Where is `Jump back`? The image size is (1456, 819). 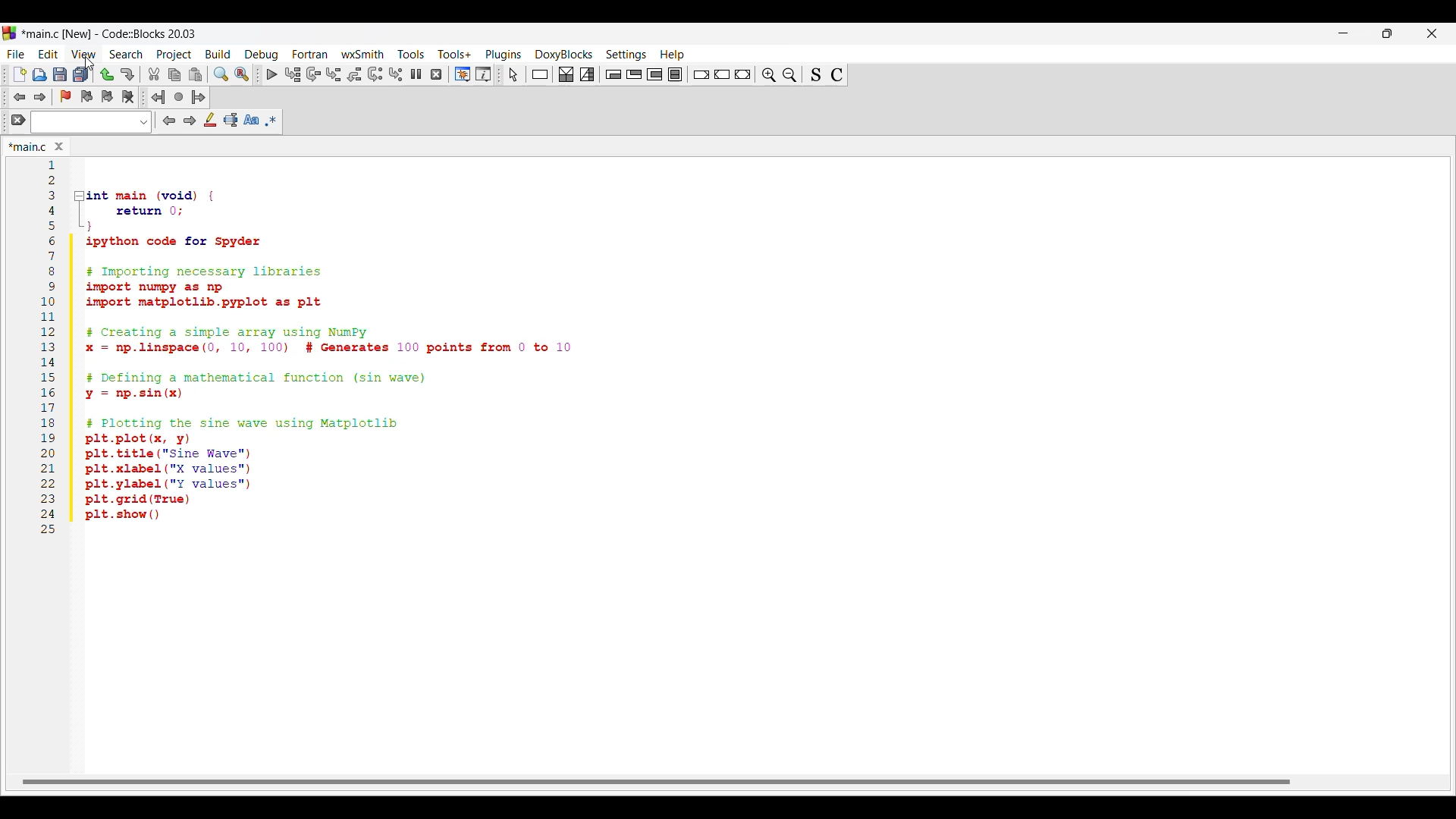 Jump back is located at coordinates (18, 97).